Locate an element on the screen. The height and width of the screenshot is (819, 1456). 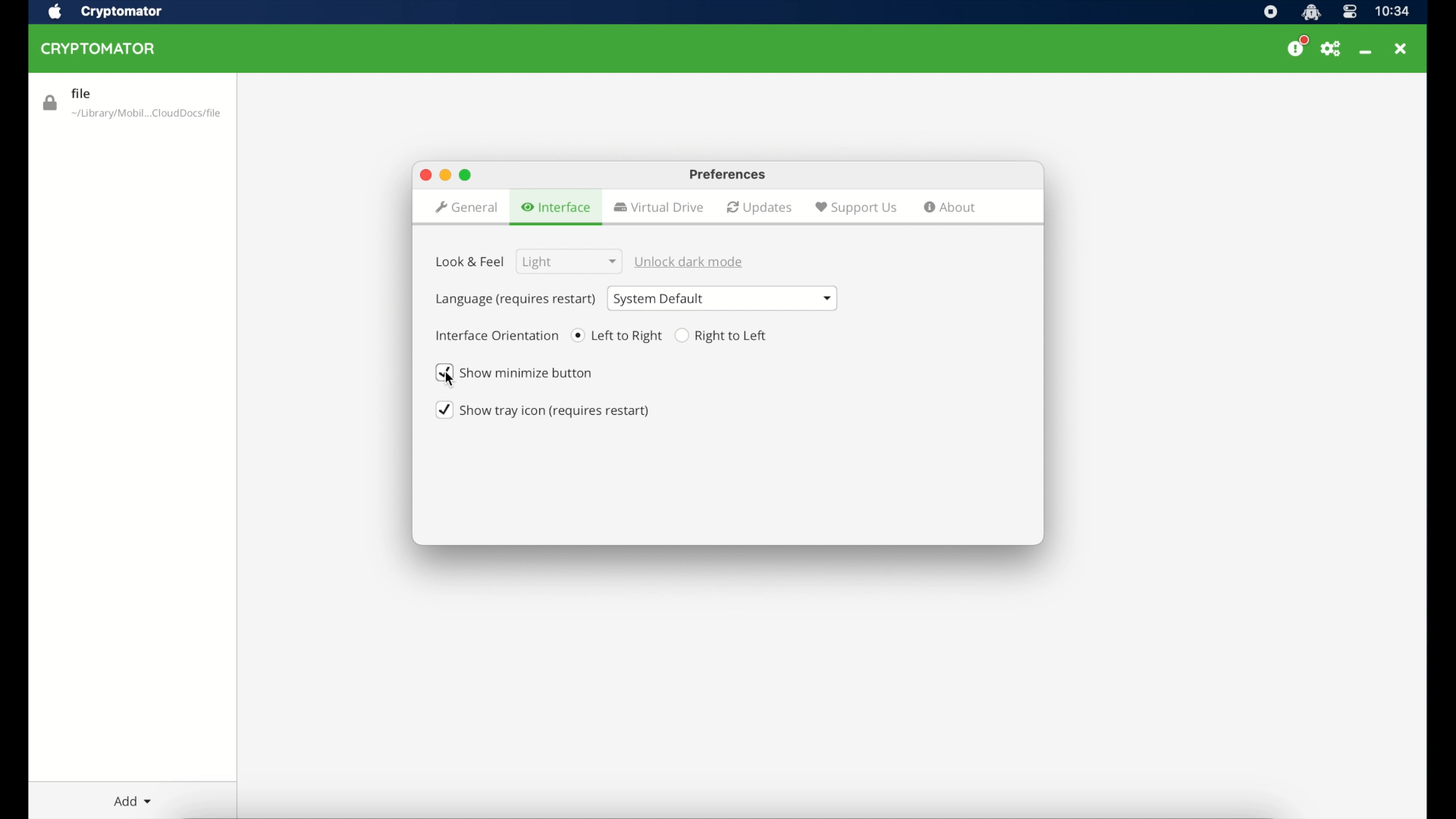
maximize is located at coordinates (425, 175).